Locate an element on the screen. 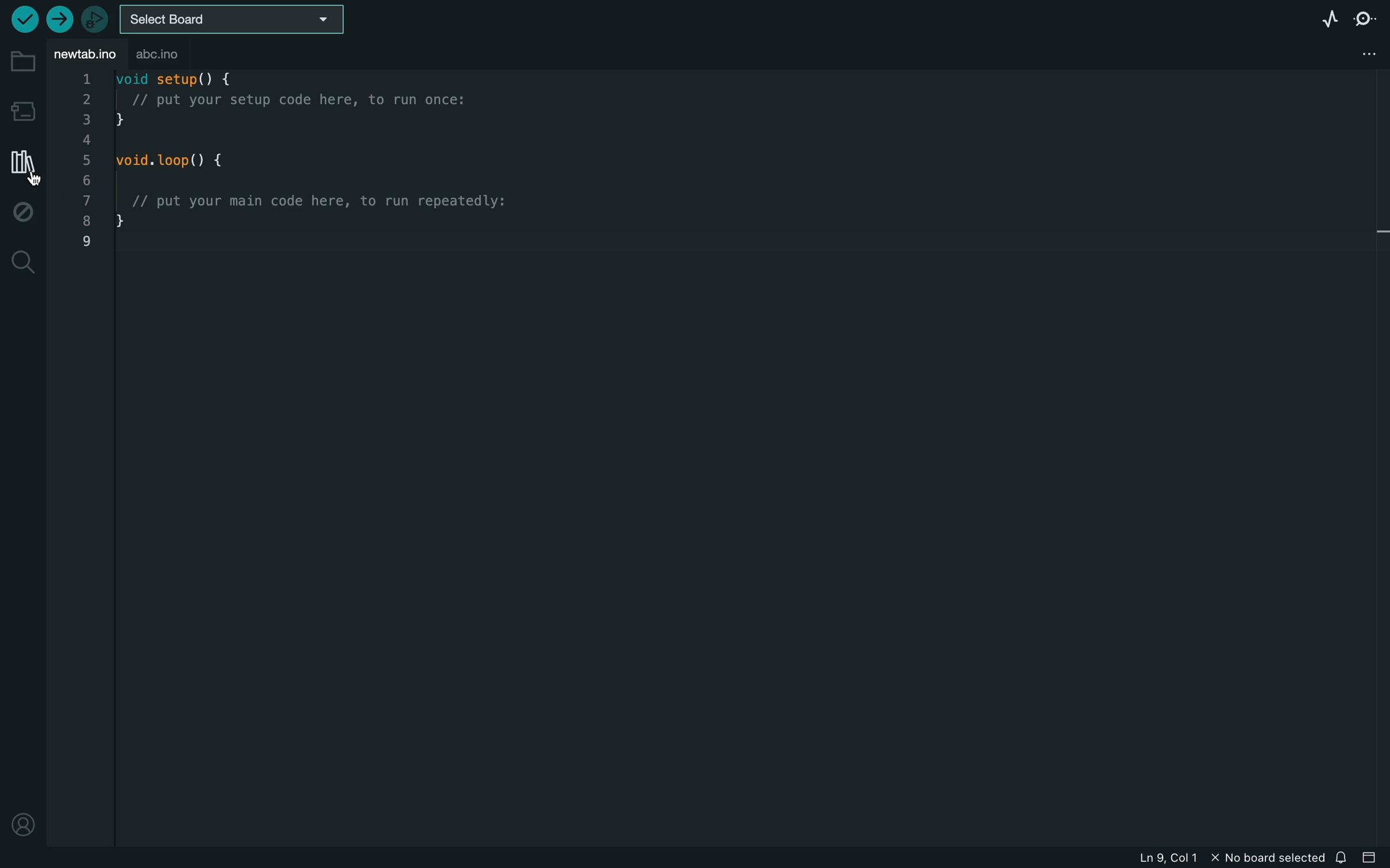 This screenshot has width=1390, height=868. board manager is located at coordinates (23, 111).